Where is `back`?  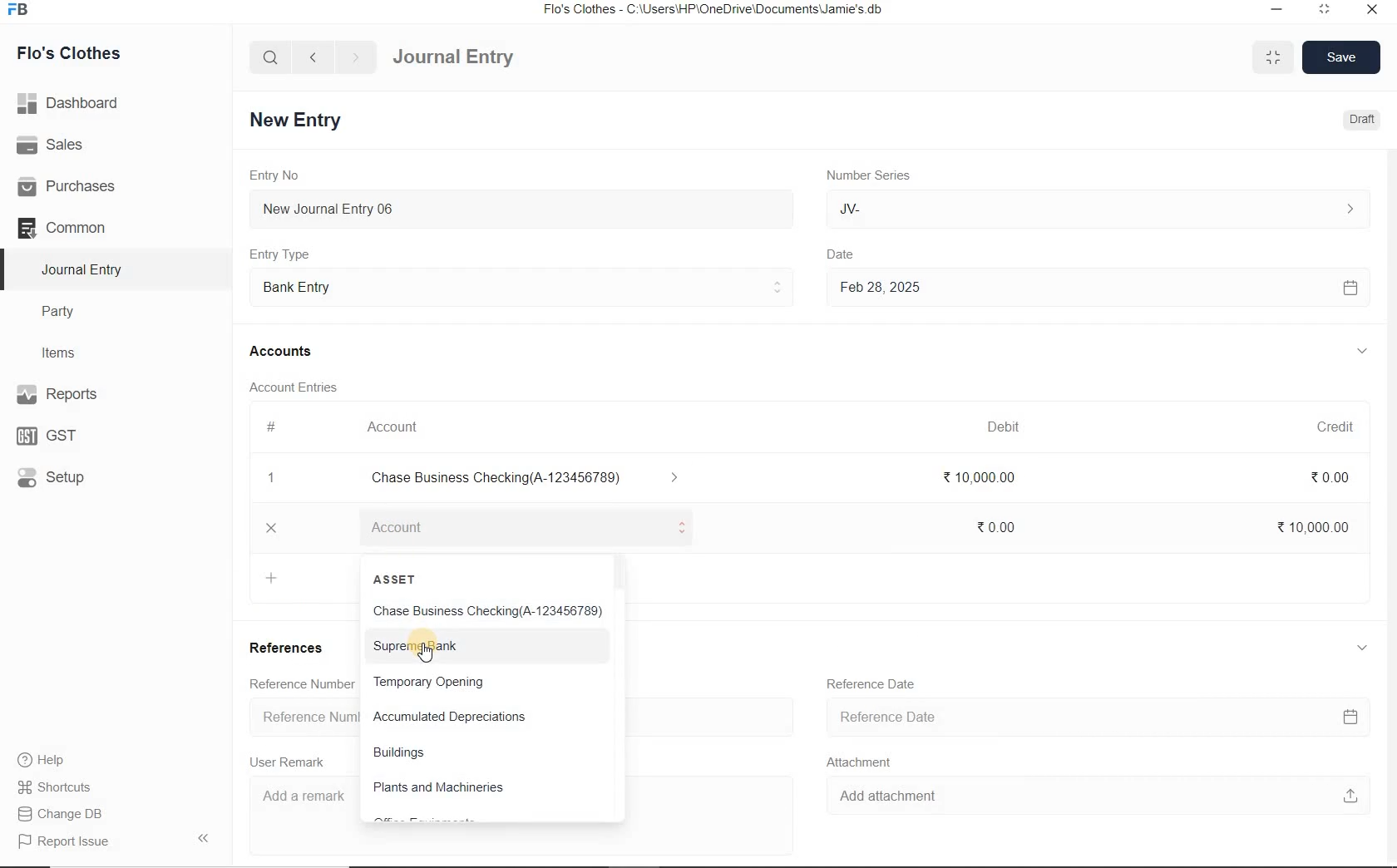 back is located at coordinates (313, 56).